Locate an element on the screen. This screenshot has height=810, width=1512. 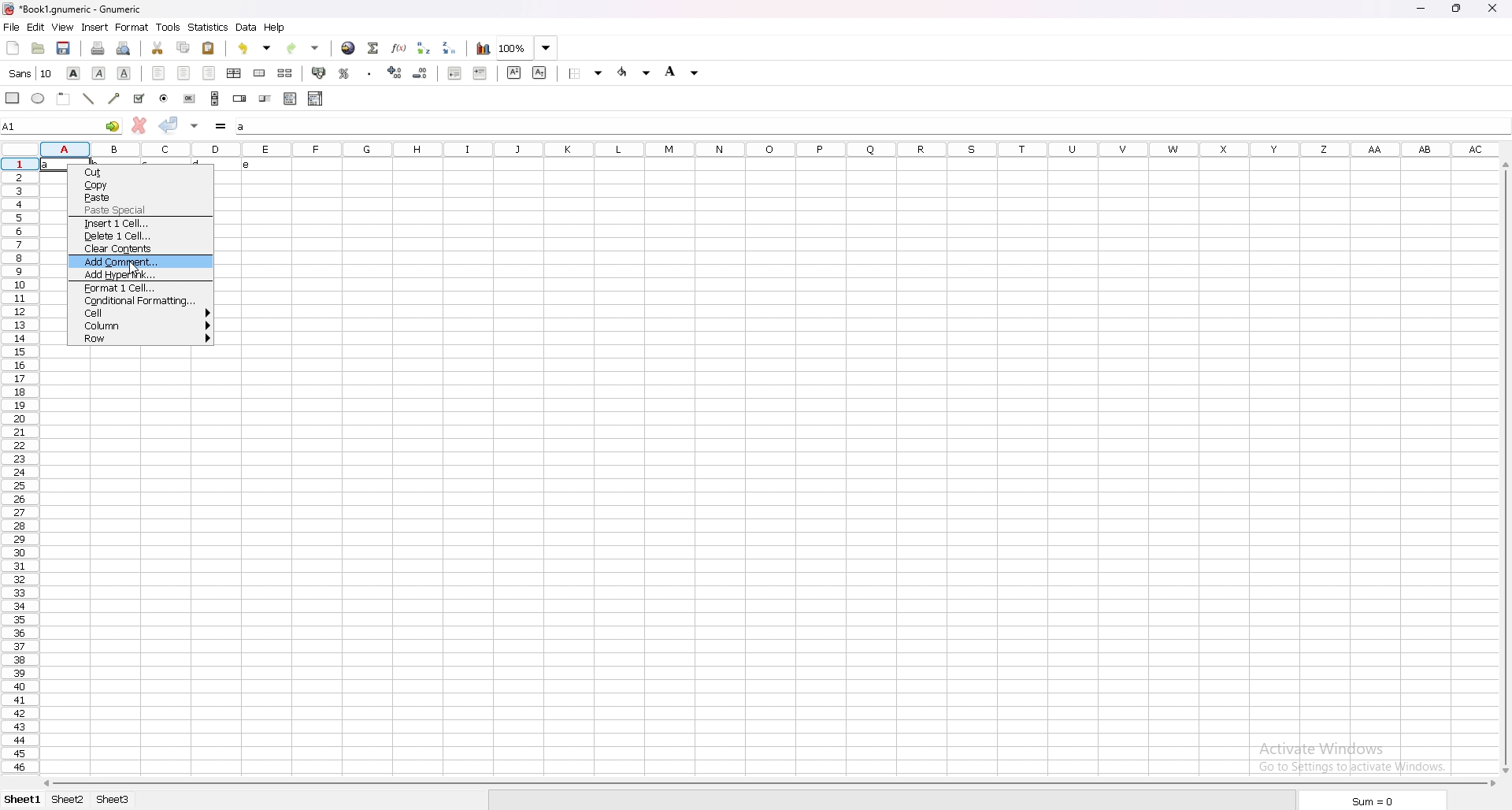
scroll bar is located at coordinates (215, 98).